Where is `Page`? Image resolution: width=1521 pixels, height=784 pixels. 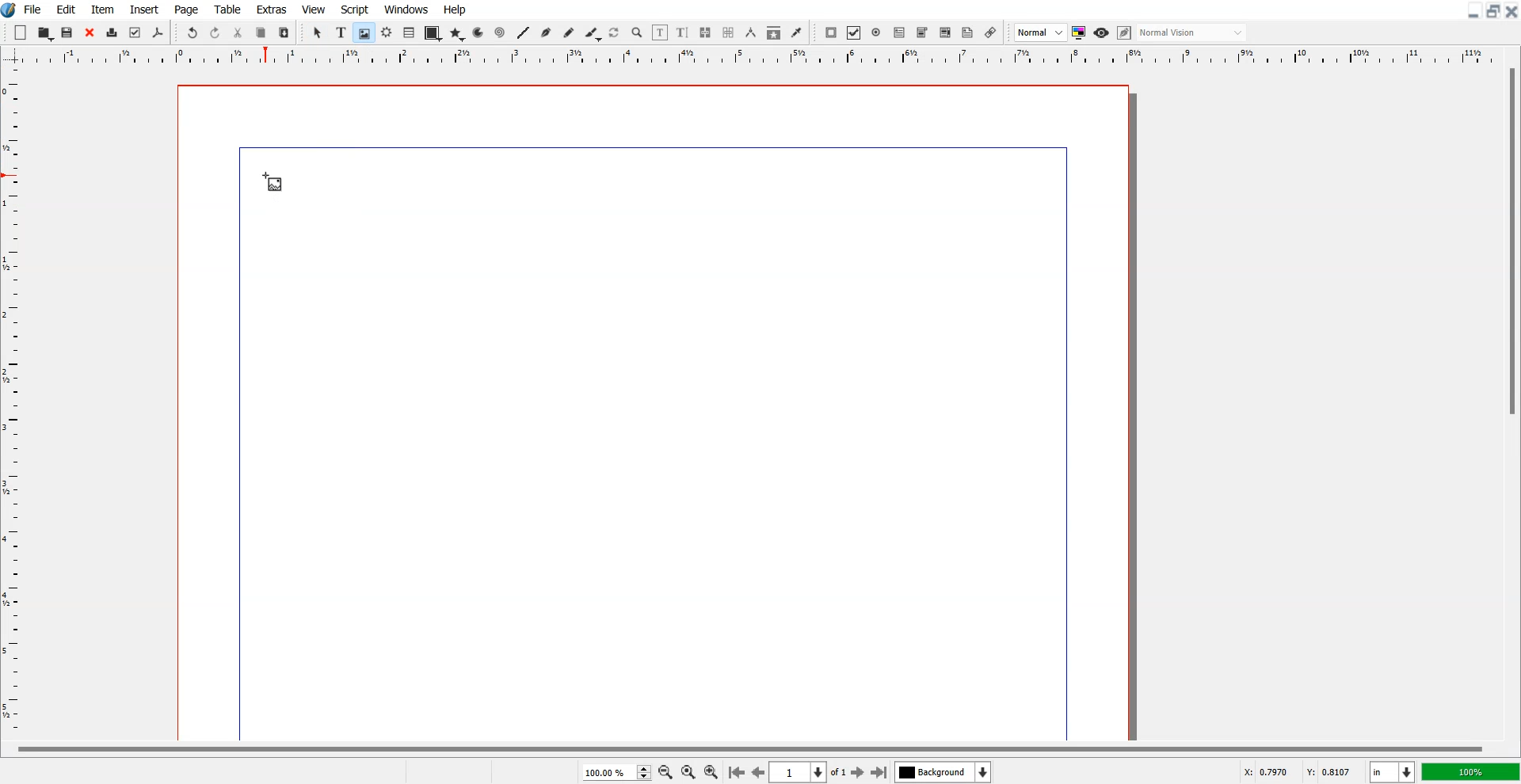
Page is located at coordinates (188, 9).